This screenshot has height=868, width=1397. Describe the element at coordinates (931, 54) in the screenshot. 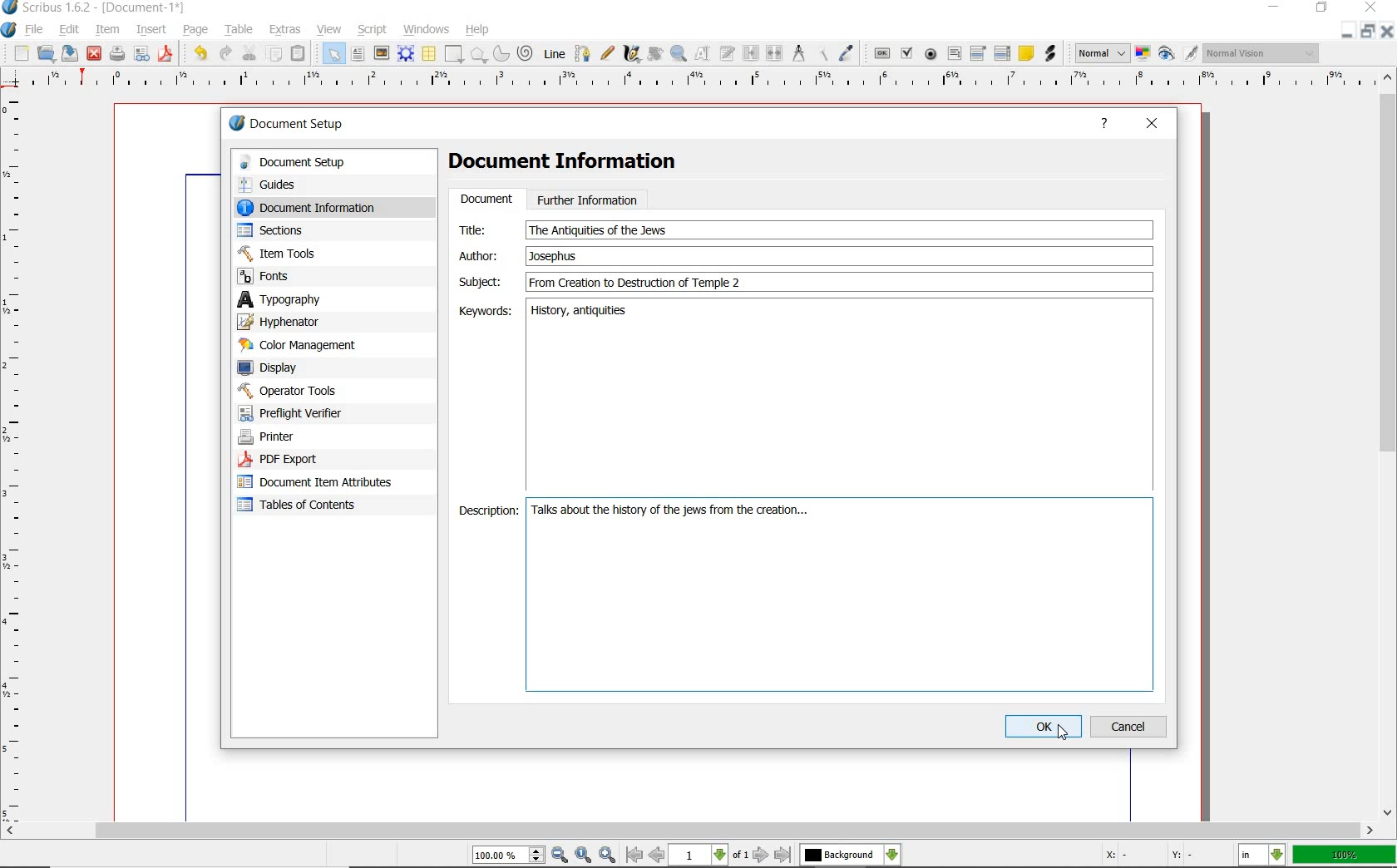

I see `pdf radio button` at that location.